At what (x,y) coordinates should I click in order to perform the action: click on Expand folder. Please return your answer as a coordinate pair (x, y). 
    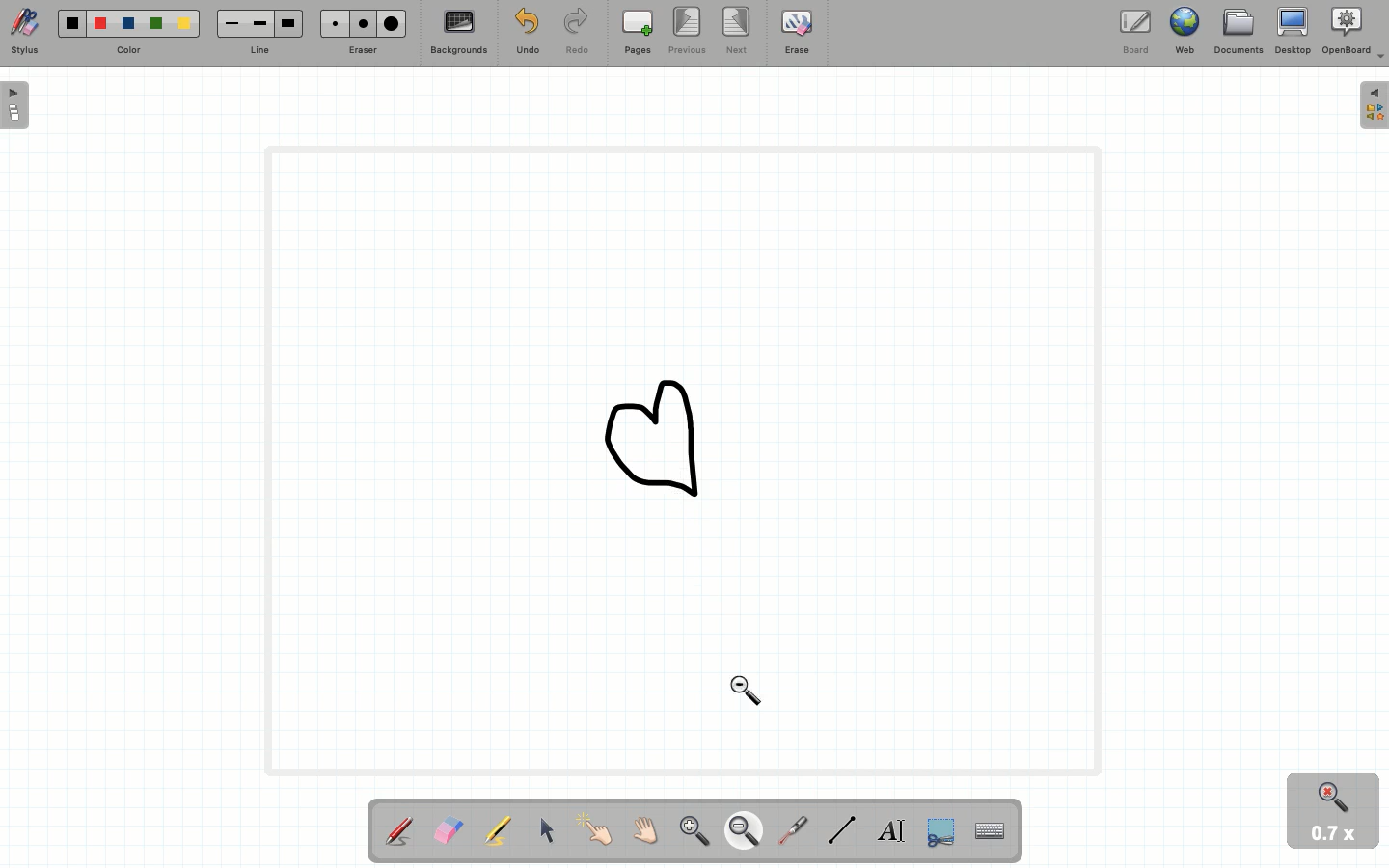
    Looking at the image, I should click on (1374, 106).